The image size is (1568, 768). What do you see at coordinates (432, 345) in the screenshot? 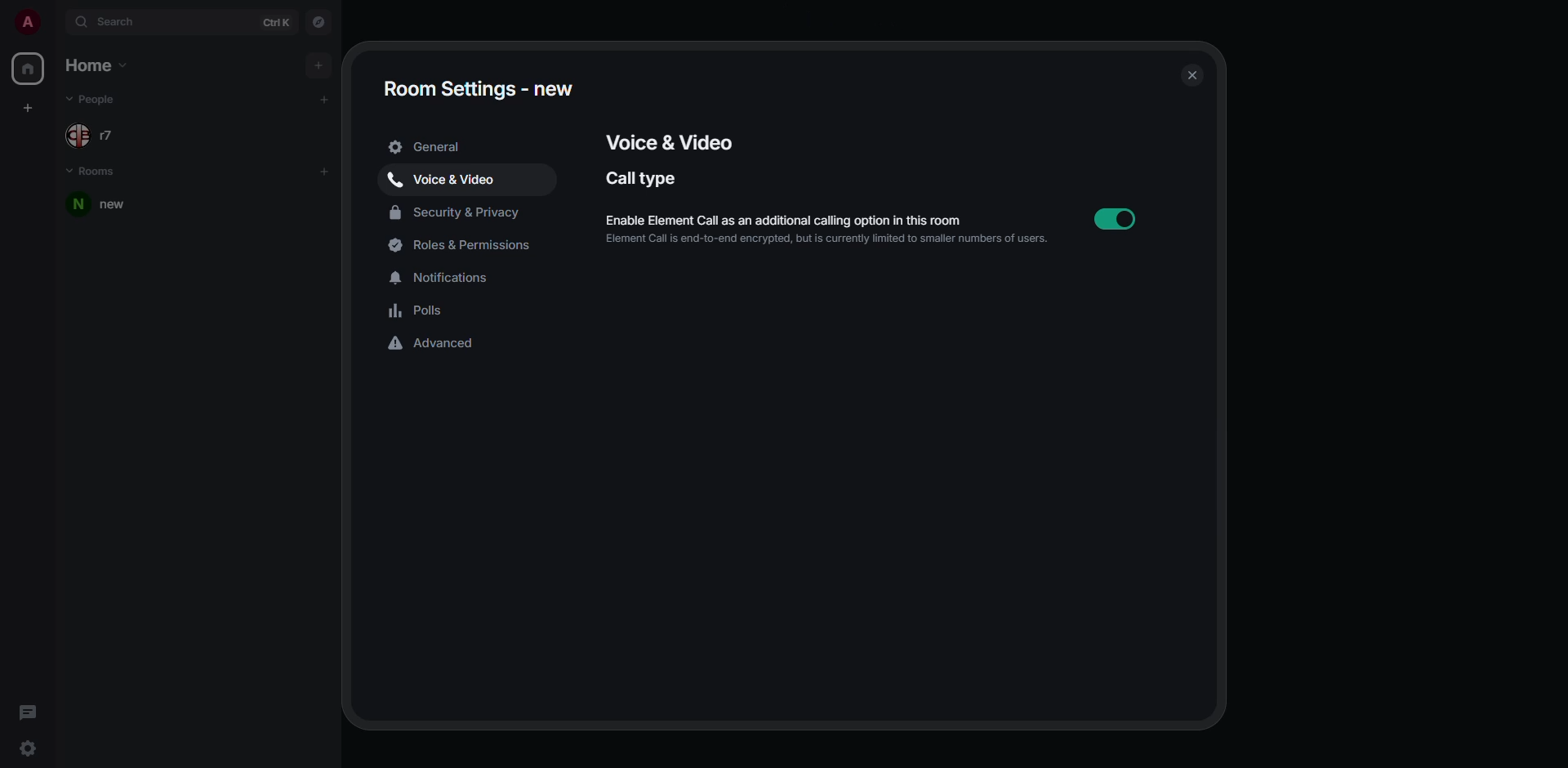
I see `advanced` at bounding box center [432, 345].